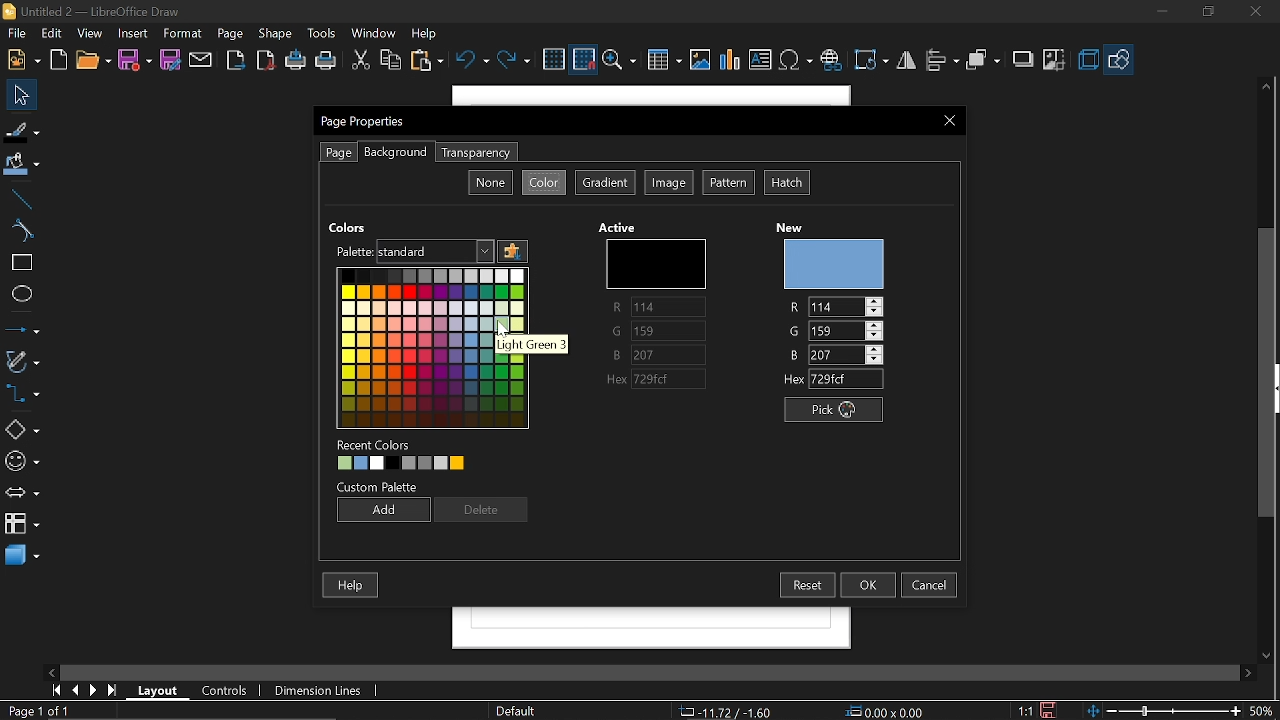 This screenshot has height=720, width=1280. What do you see at coordinates (94, 690) in the screenshot?
I see `Next page` at bounding box center [94, 690].